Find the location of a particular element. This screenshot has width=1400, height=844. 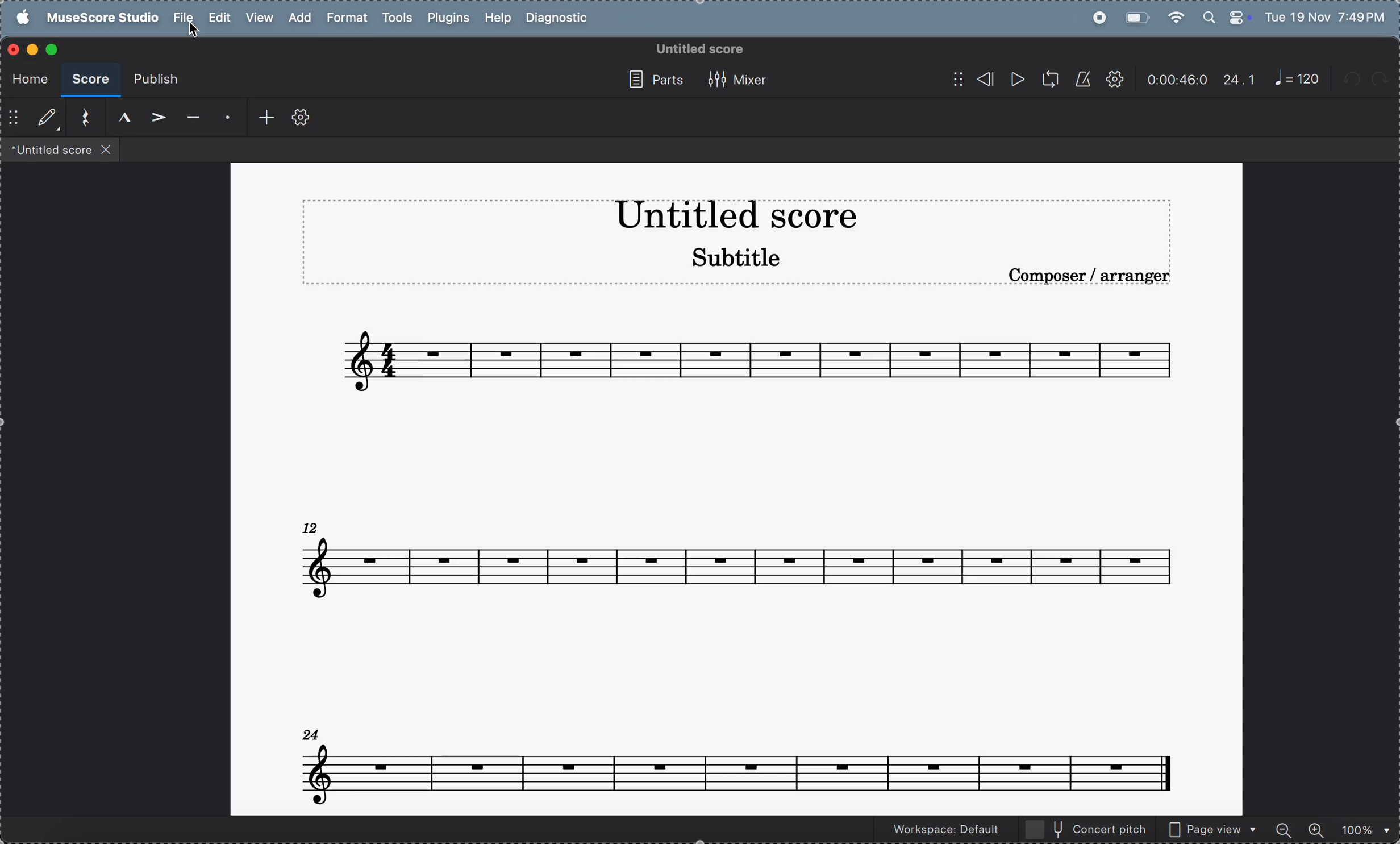

subtitle is located at coordinates (734, 261).